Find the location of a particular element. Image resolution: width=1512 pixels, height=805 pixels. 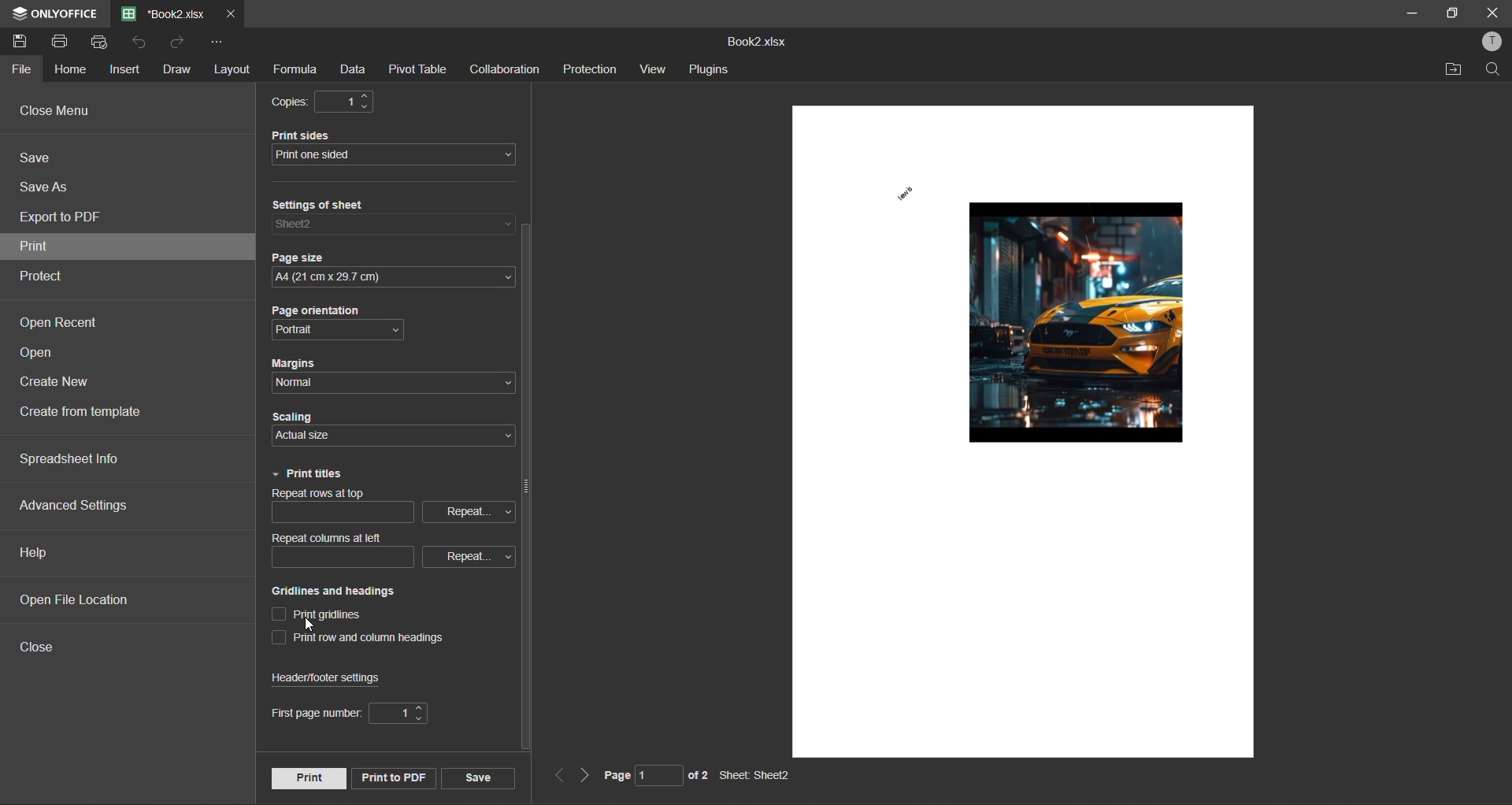

next is located at coordinates (584, 777).